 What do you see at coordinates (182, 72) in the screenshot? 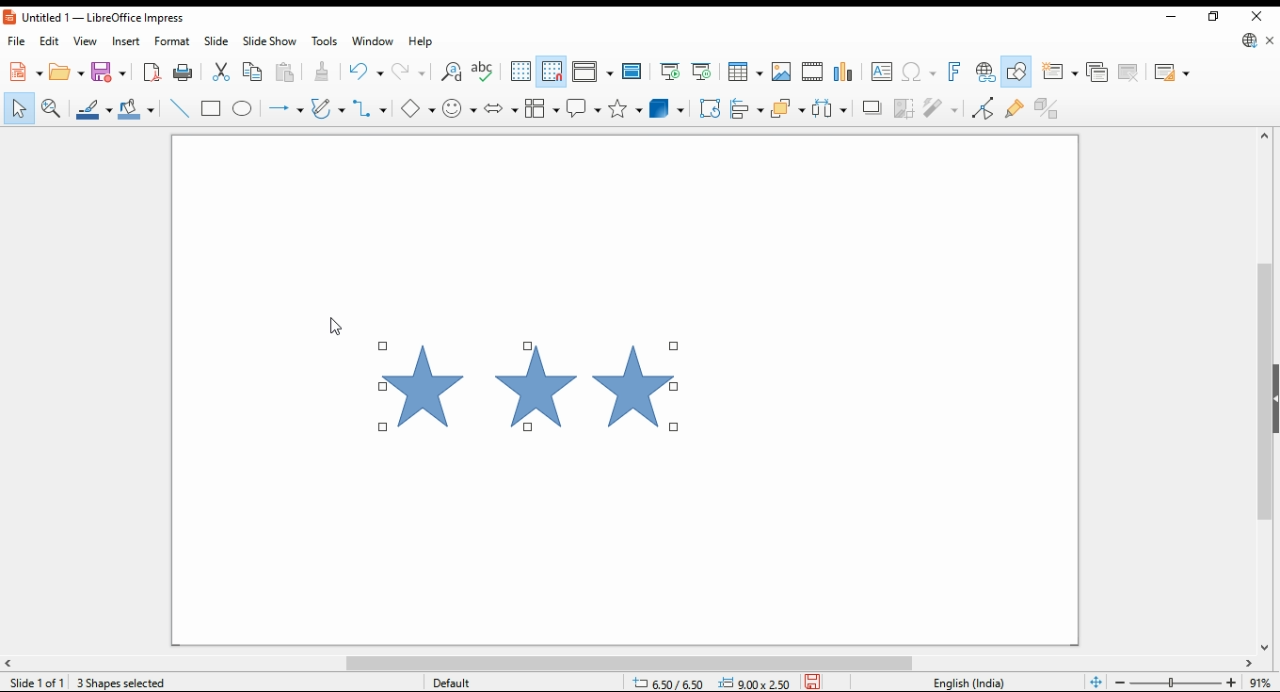
I see `print` at bounding box center [182, 72].